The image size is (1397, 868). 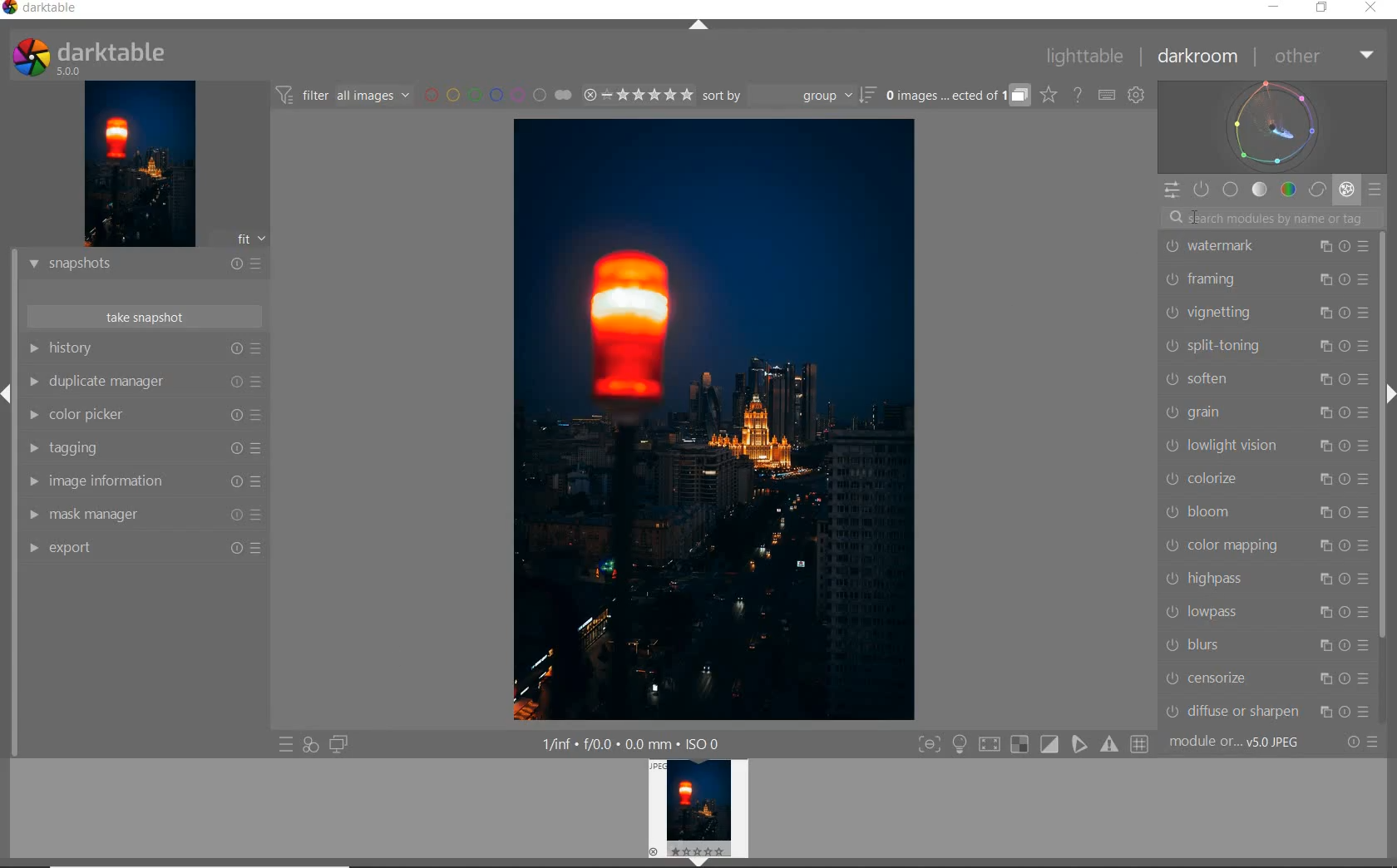 I want to click on Multiple instance, so click(x=1317, y=412).